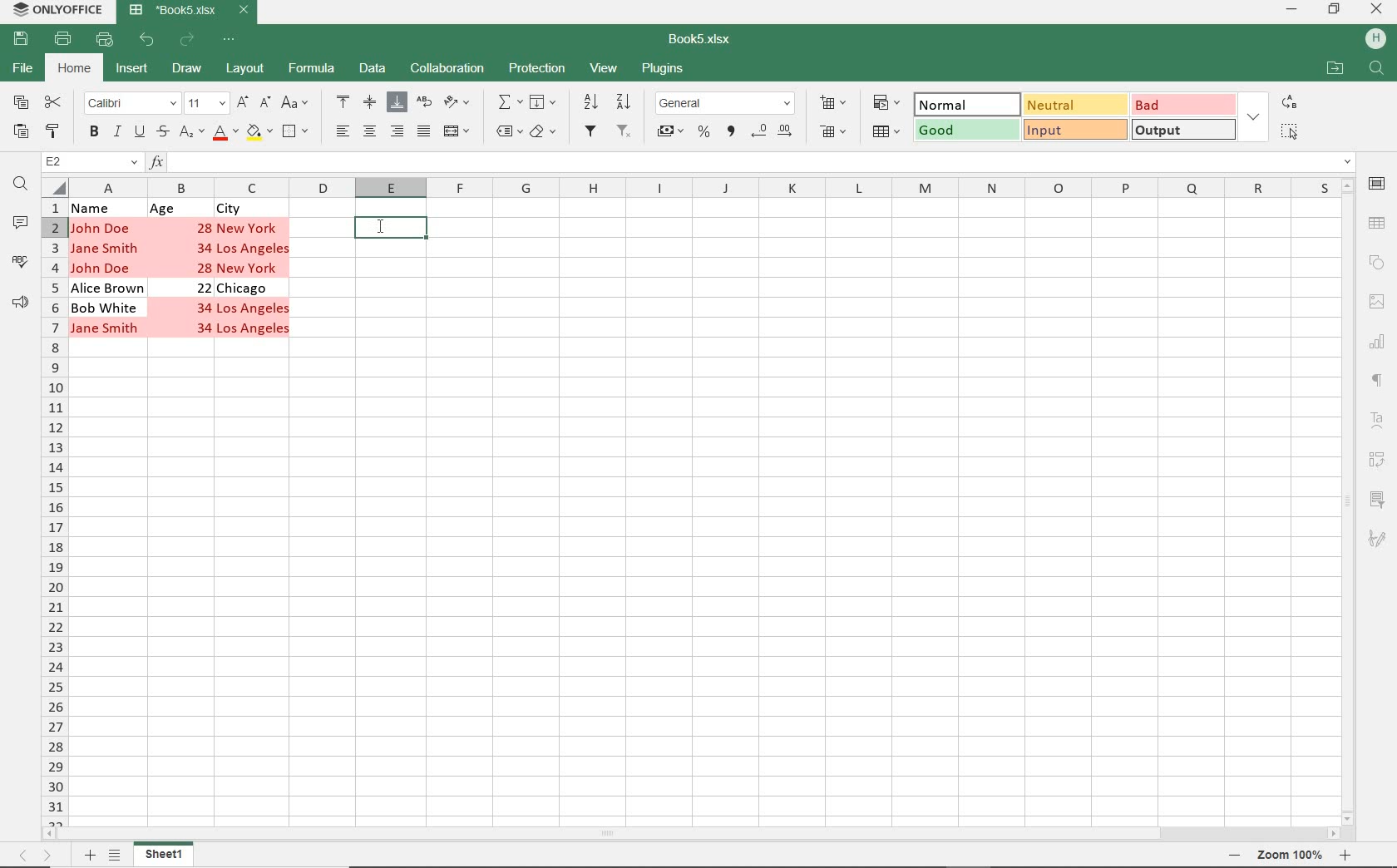 The image size is (1397, 868). What do you see at coordinates (116, 856) in the screenshot?
I see `LIST SHEETS` at bounding box center [116, 856].